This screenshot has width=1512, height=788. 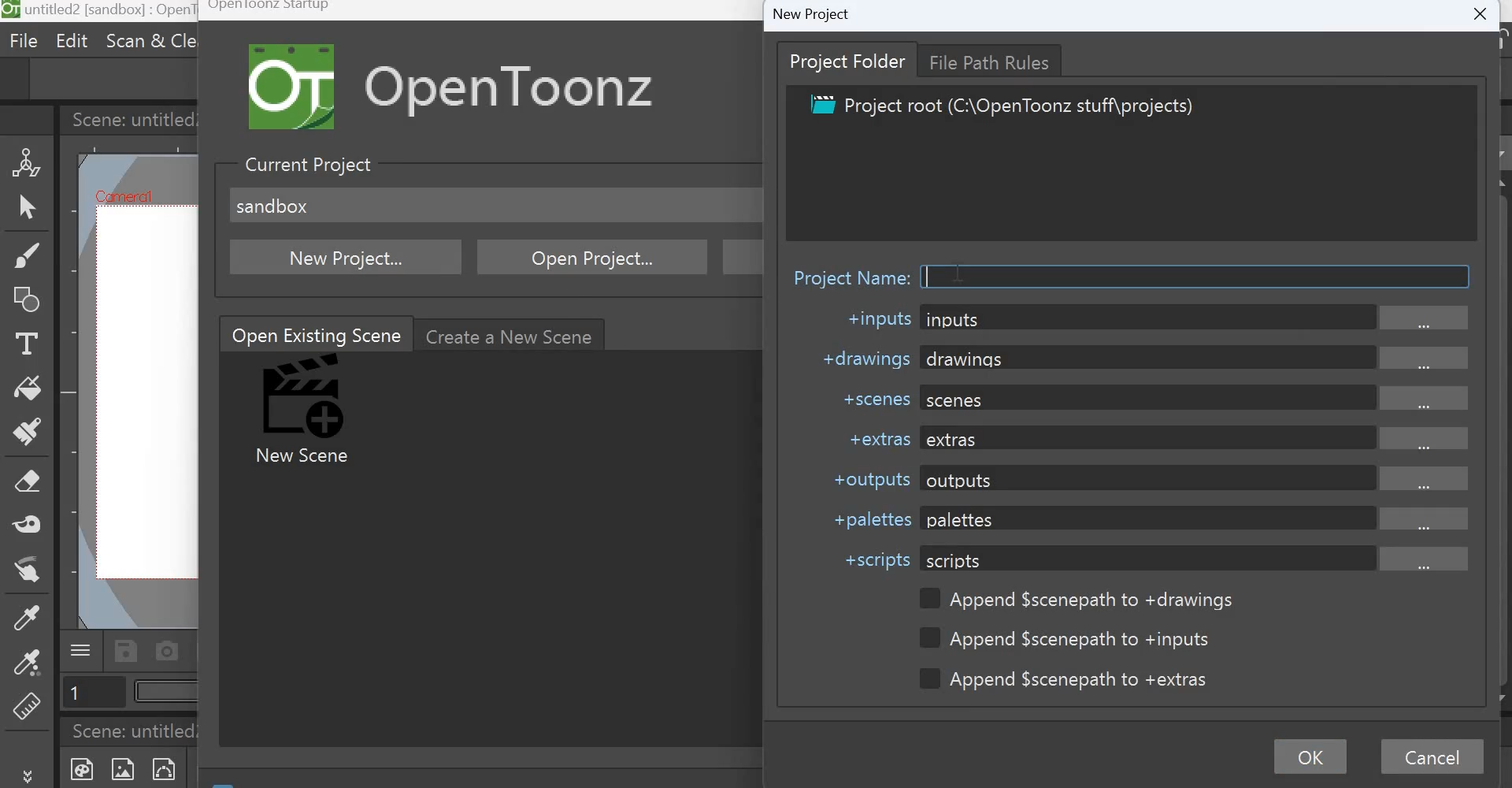 What do you see at coordinates (100, 12) in the screenshot?
I see `untitled 2[sandbox] : OpenToonz` at bounding box center [100, 12].